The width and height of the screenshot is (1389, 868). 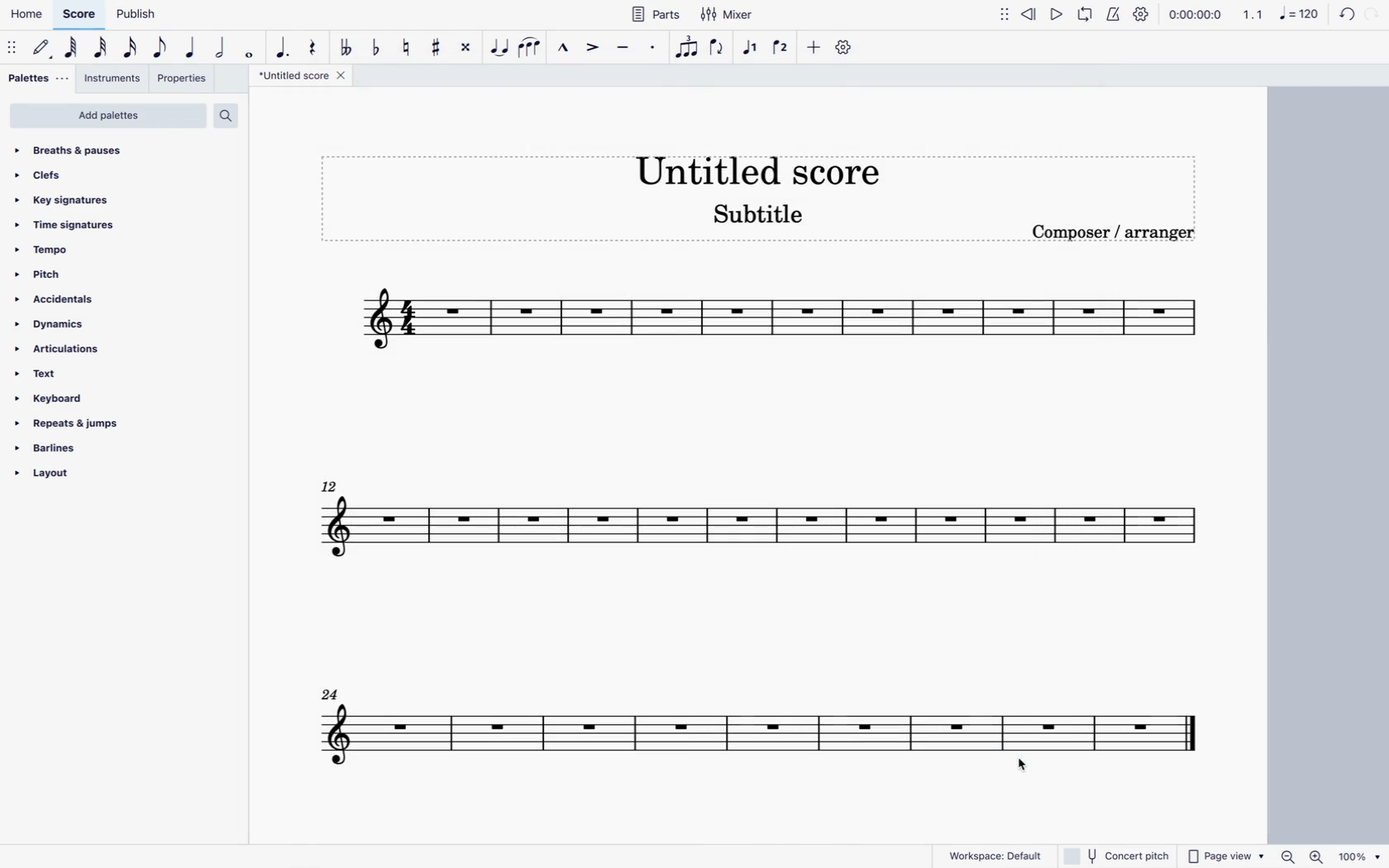 What do you see at coordinates (65, 222) in the screenshot?
I see `time signatures` at bounding box center [65, 222].